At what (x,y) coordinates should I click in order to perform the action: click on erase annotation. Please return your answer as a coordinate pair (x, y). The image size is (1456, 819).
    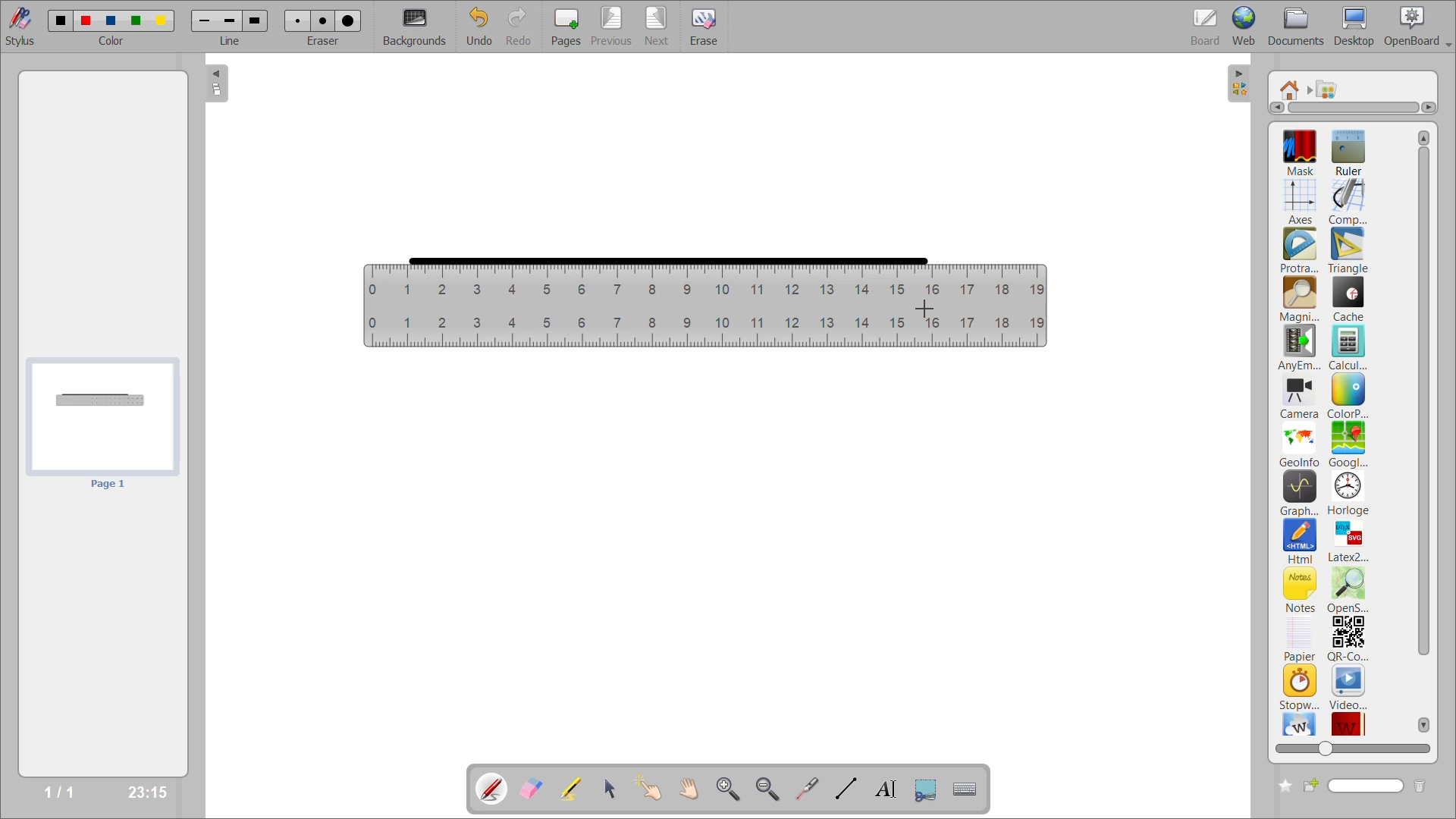
    Looking at the image, I should click on (533, 789).